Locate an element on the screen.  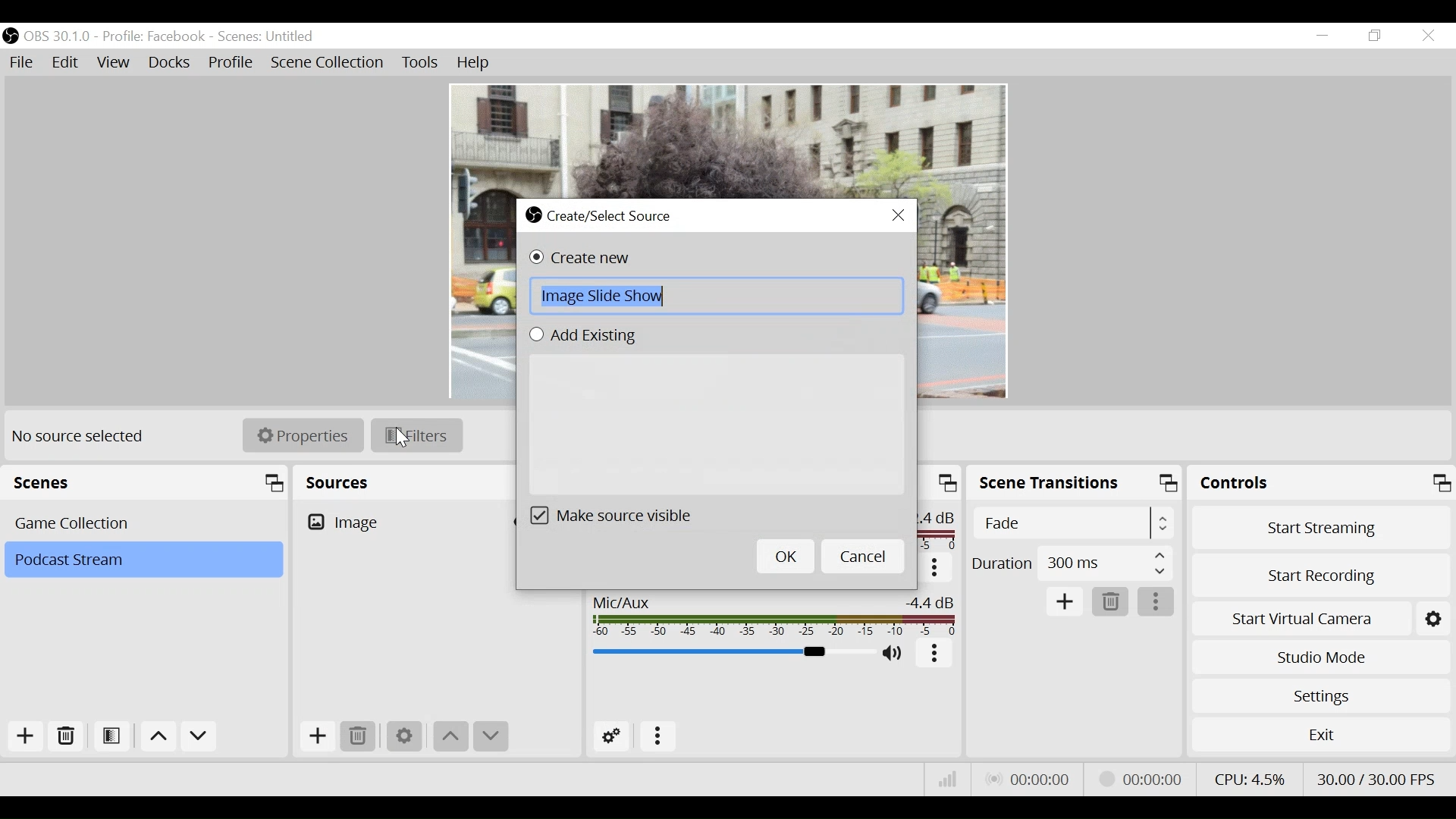
(un)mute is located at coordinates (895, 654).